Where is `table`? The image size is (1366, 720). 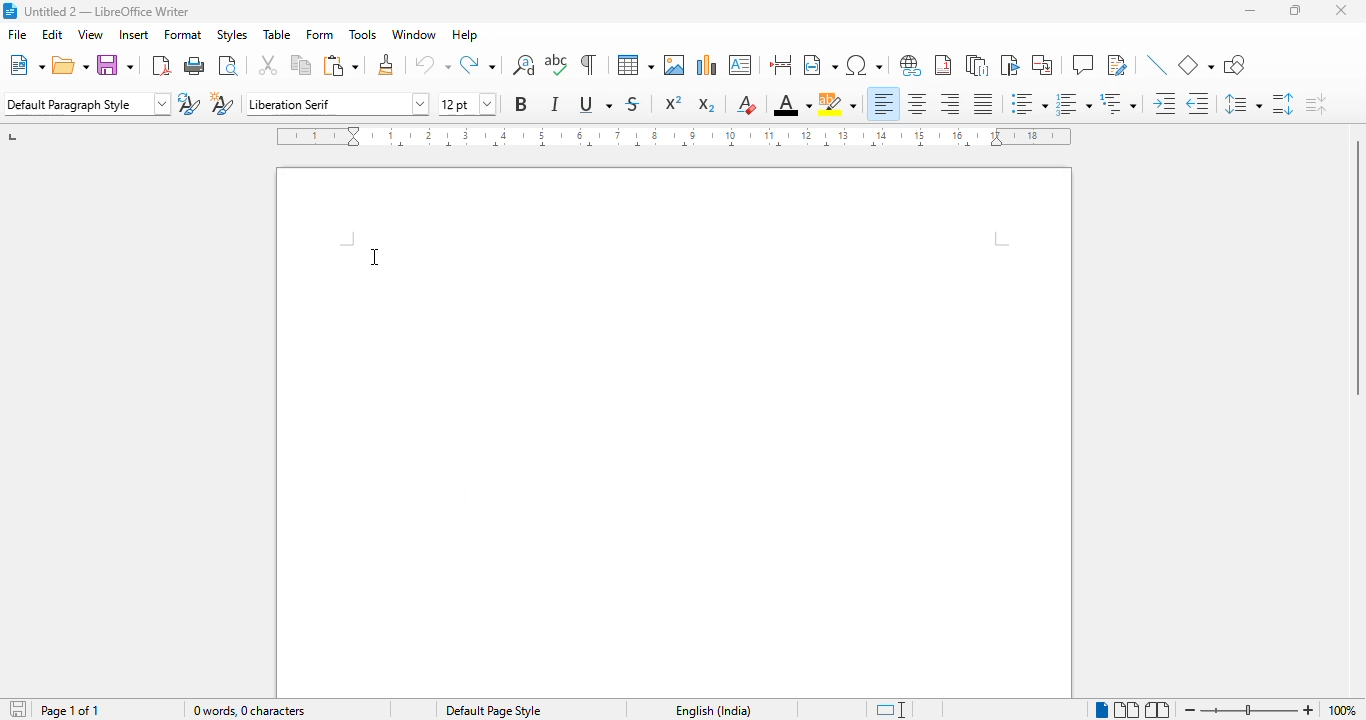
table is located at coordinates (277, 35).